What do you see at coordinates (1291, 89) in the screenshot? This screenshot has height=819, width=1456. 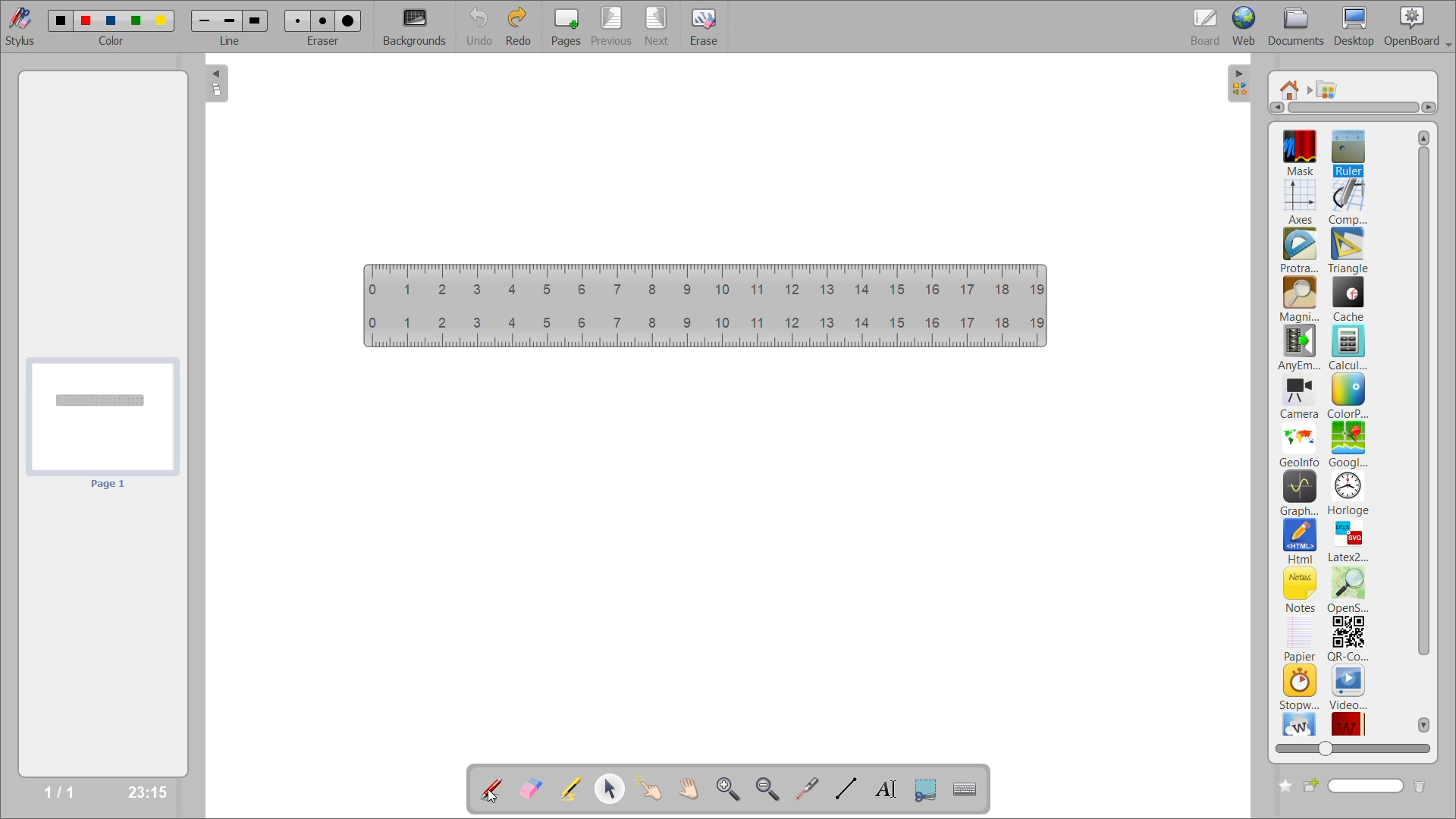 I see `root` at bounding box center [1291, 89].